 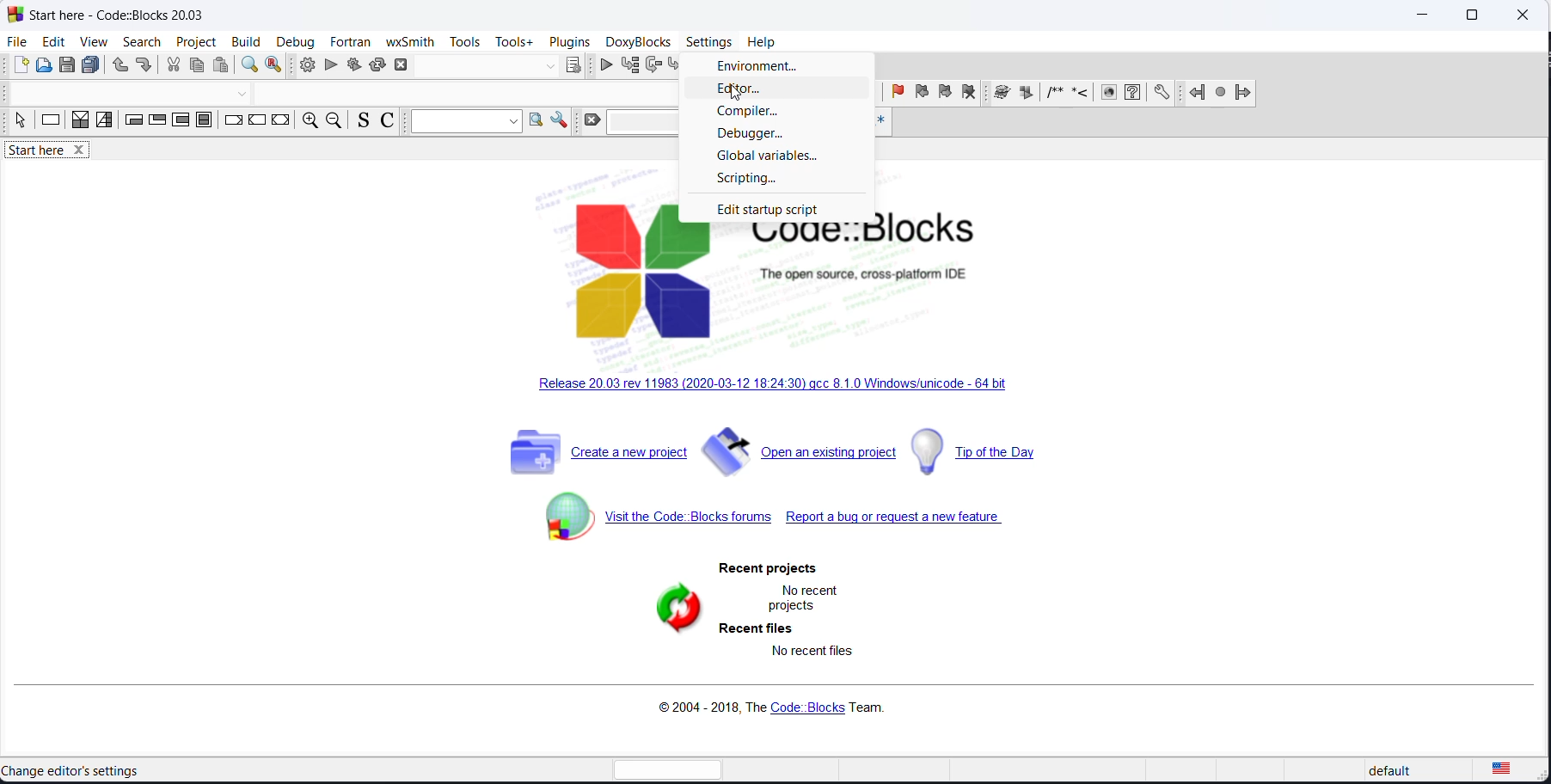 I want to click on close, so click(x=1521, y=14).